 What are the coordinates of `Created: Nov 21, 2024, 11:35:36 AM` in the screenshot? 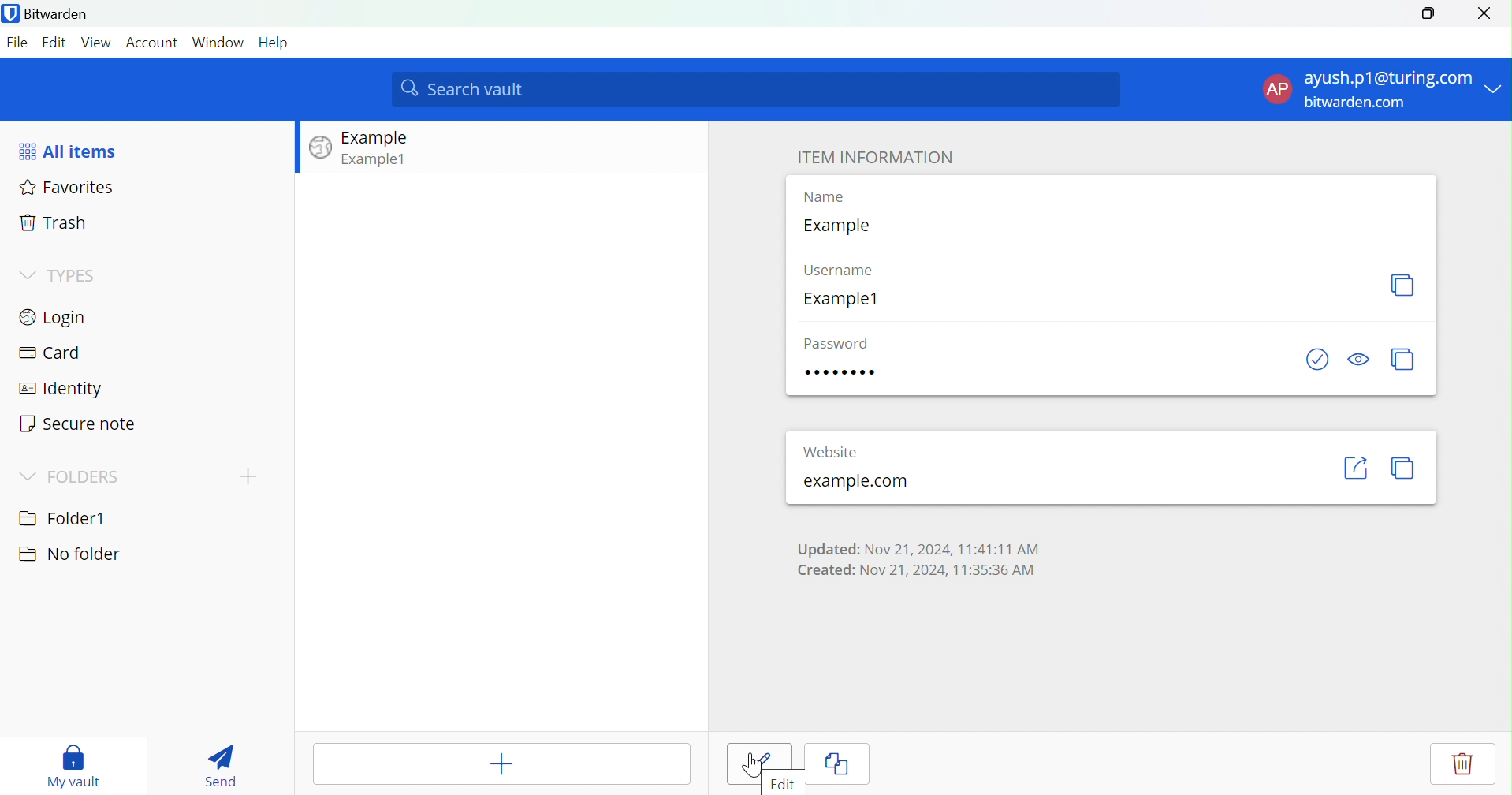 It's located at (924, 572).